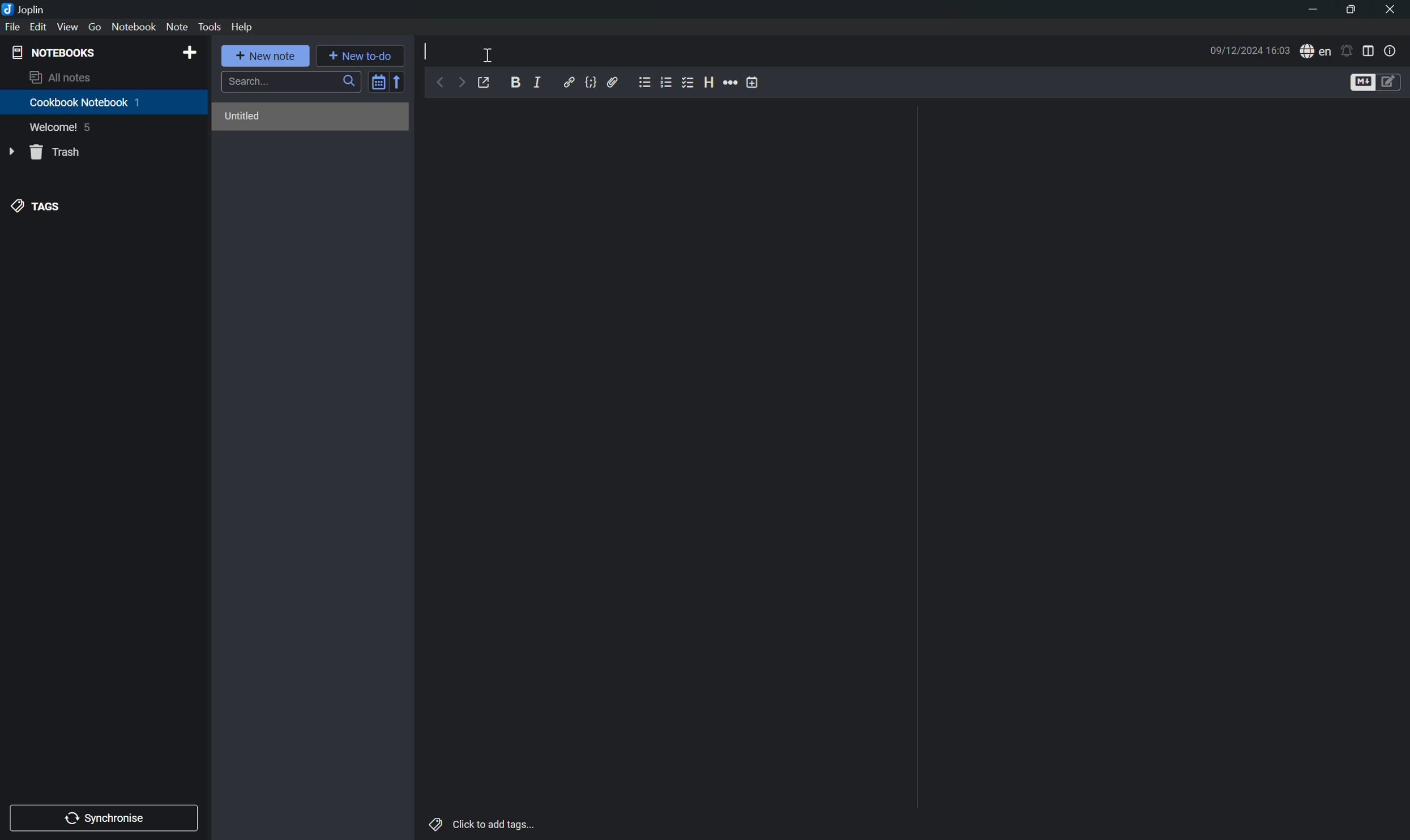 The image size is (1410, 840). Describe the element at coordinates (593, 82) in the screenshot. I see `Code block` at that location.